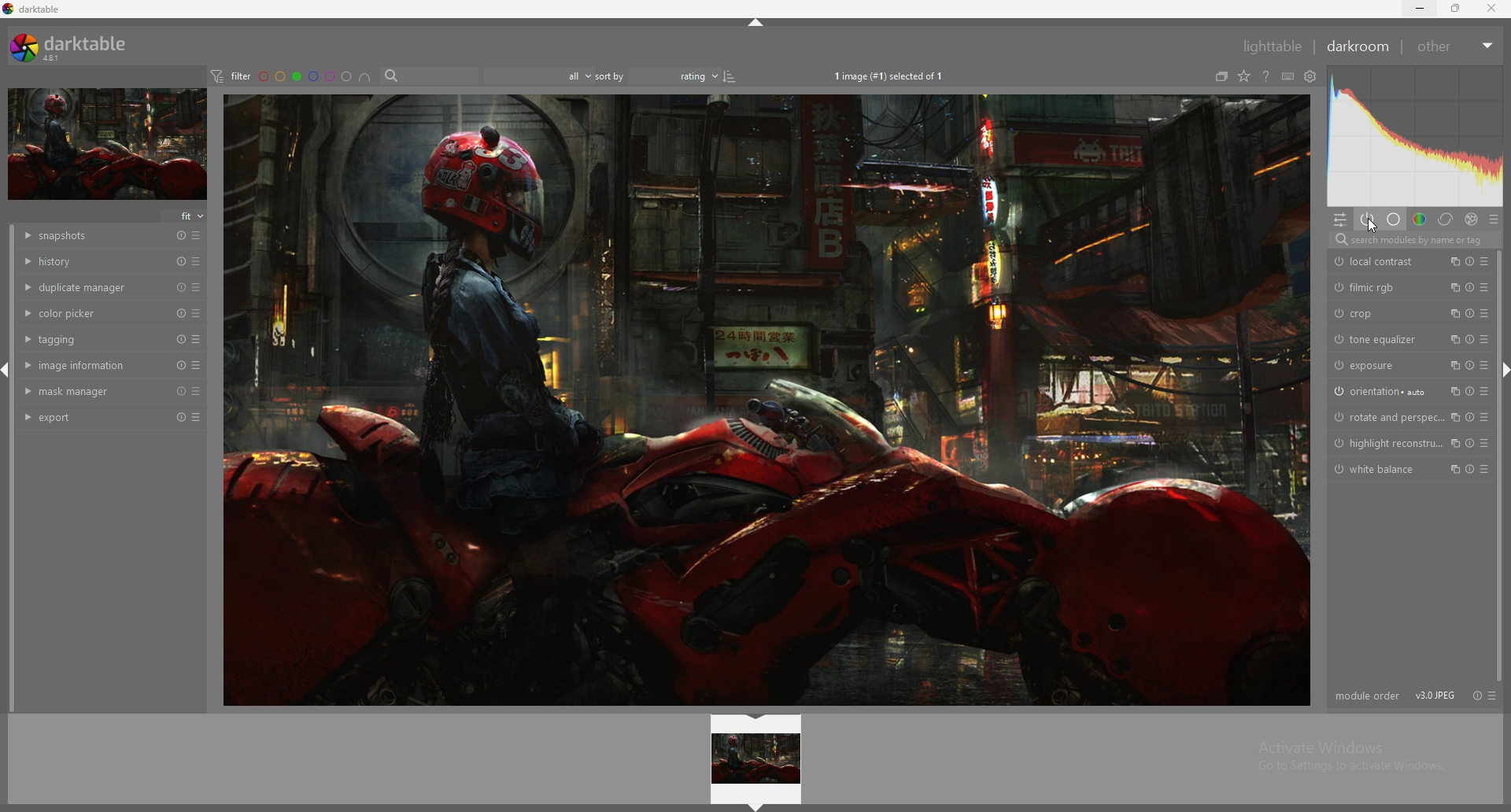 The width and height of the screenshot is (1511, 812). I want to click on multiple instances action, so click(1455, 417).